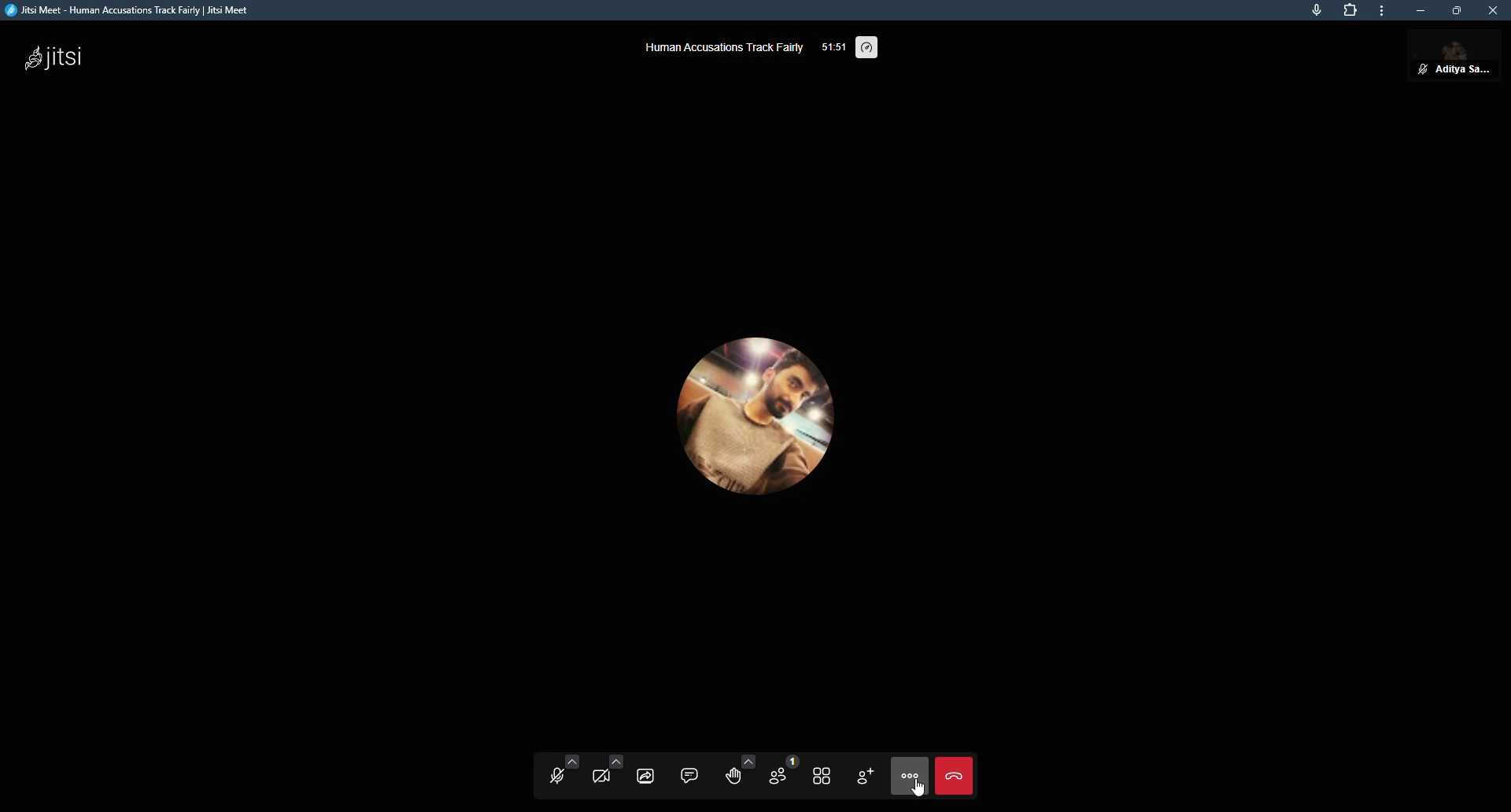 The height and width of the screenshot is (812, 1511). I want to click on unmute, so click(1419, 68).